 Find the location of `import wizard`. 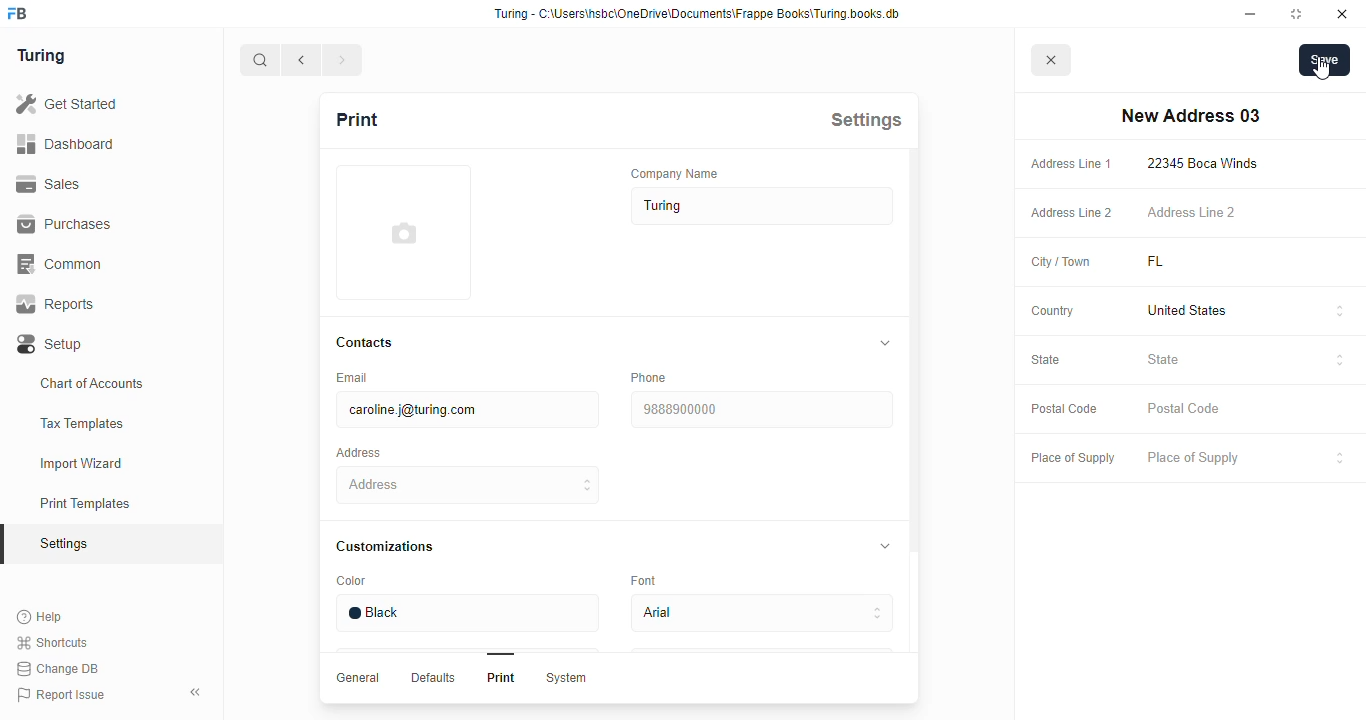

import wizard is located at coordinates (82, 464).